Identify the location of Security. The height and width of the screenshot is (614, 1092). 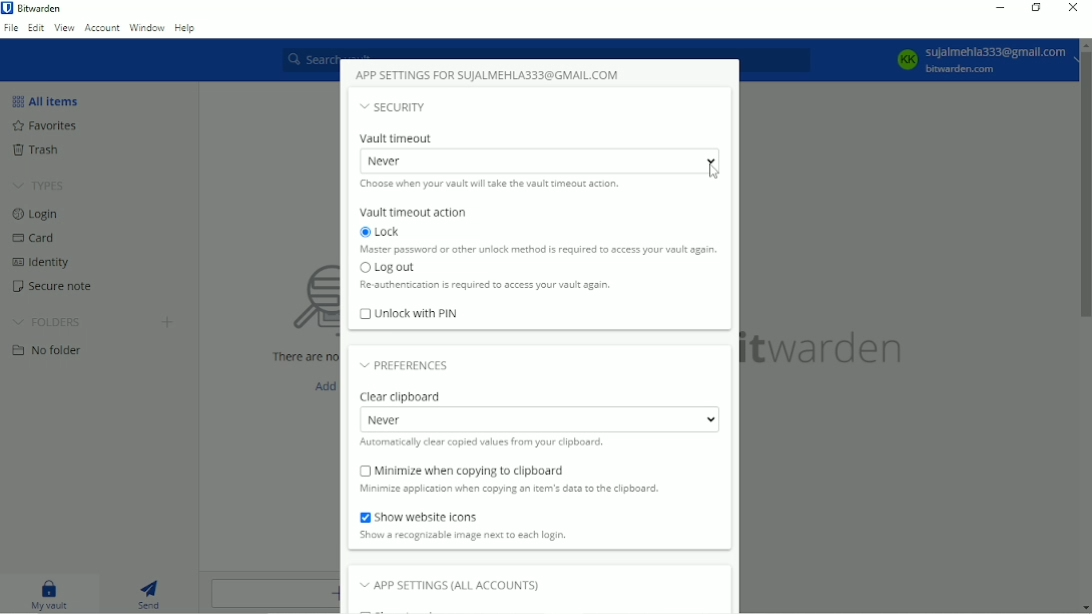
(397, 107).